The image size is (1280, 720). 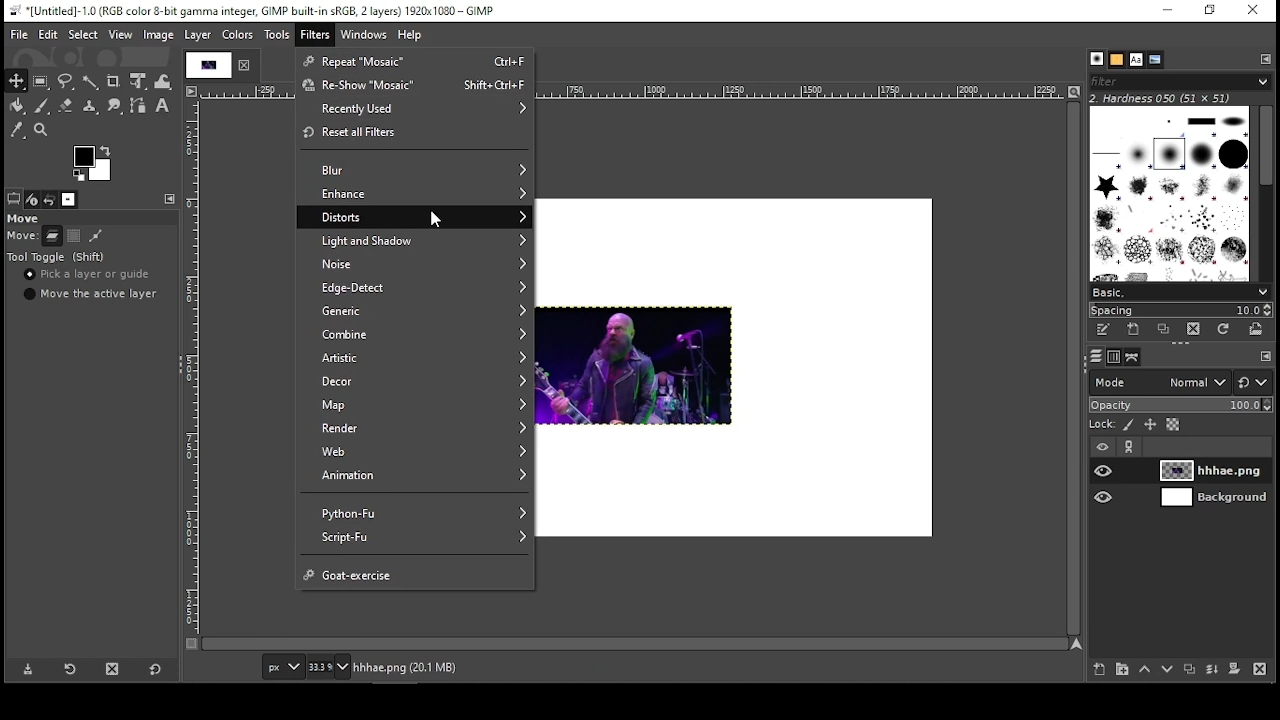 What do you see at coordinates (194, 368) in the screenshot?
I see `scale` at bounding box center [194, 368].